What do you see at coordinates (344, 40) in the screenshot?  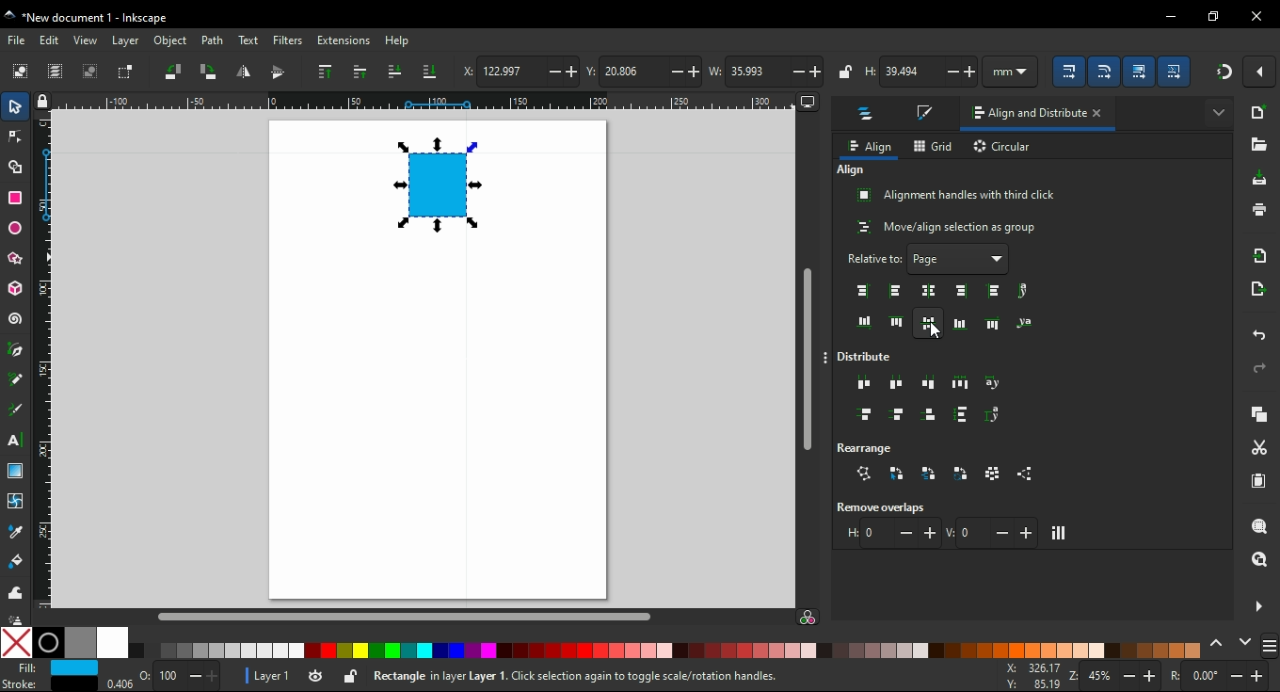 I see `extensions` at bounding box center [344, 40].